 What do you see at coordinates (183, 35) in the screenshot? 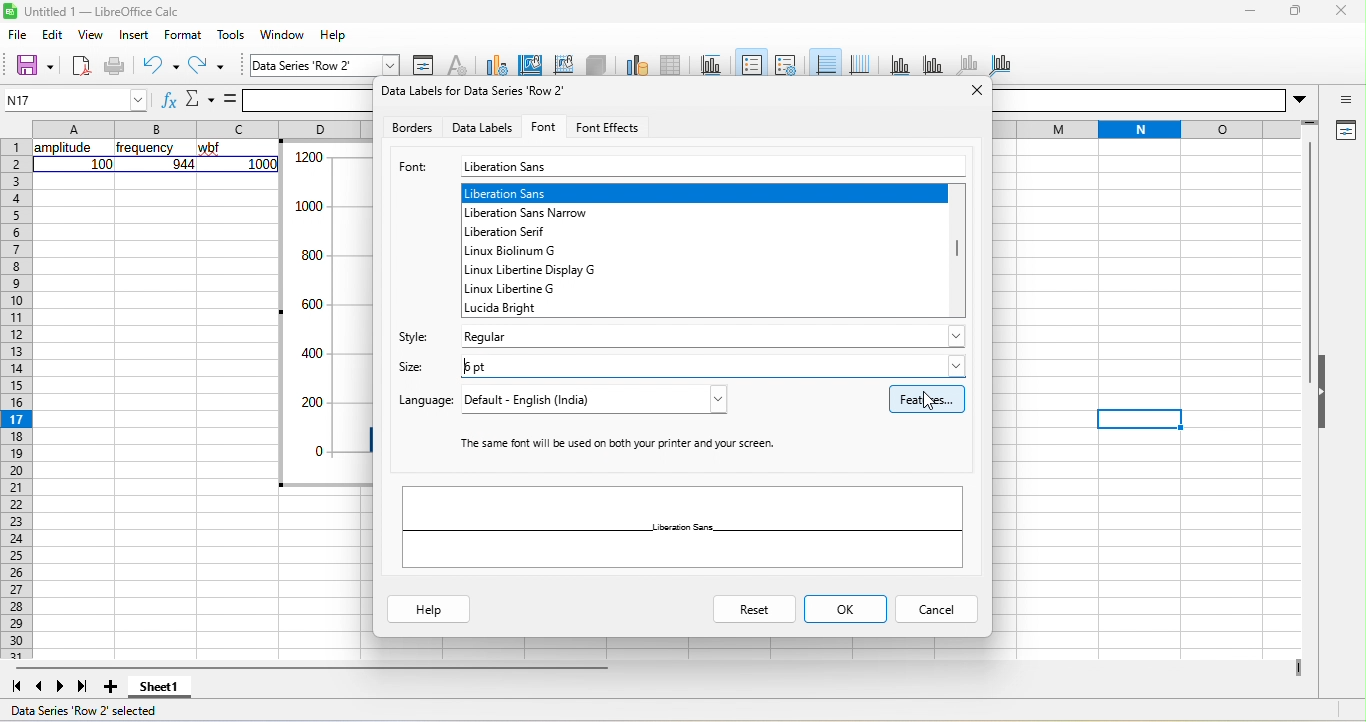
I see `format` at bounding box center [183, 35].